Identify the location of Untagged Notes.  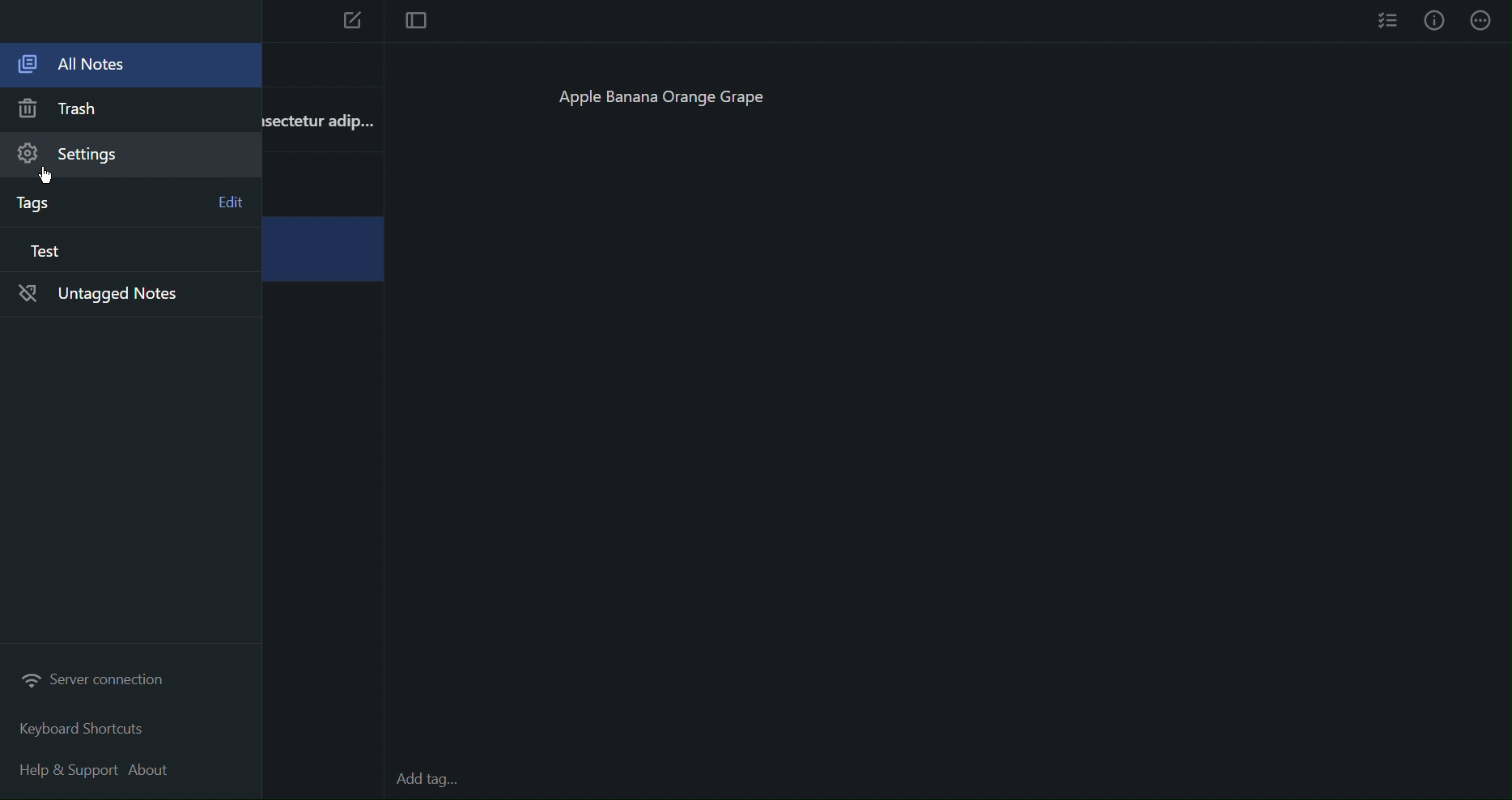
(118, 296).